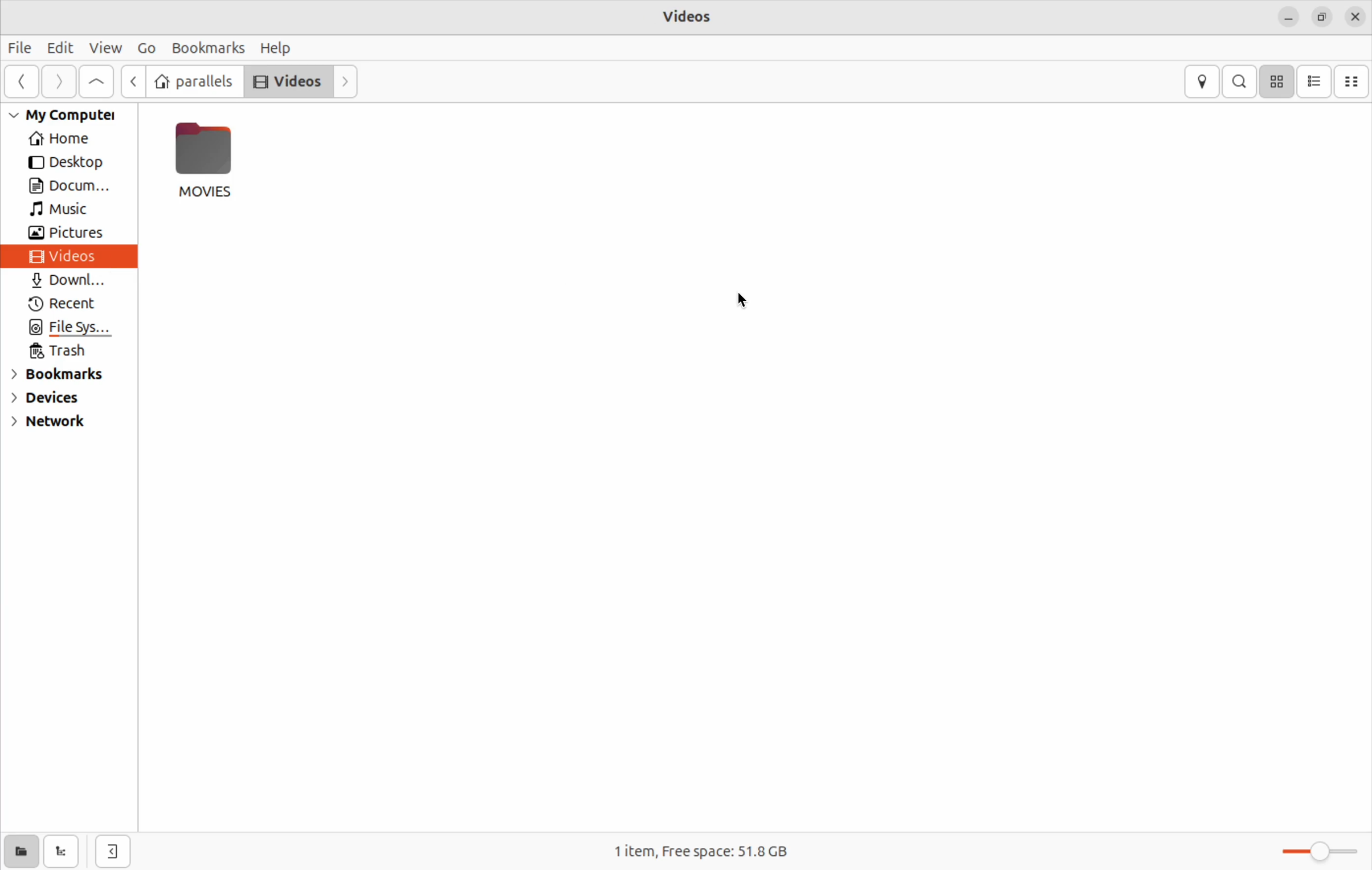  What do you see at coordinates (1322, 852) in the screenshot?
I see `toggle zoom` at bounding box center [1322, 852].